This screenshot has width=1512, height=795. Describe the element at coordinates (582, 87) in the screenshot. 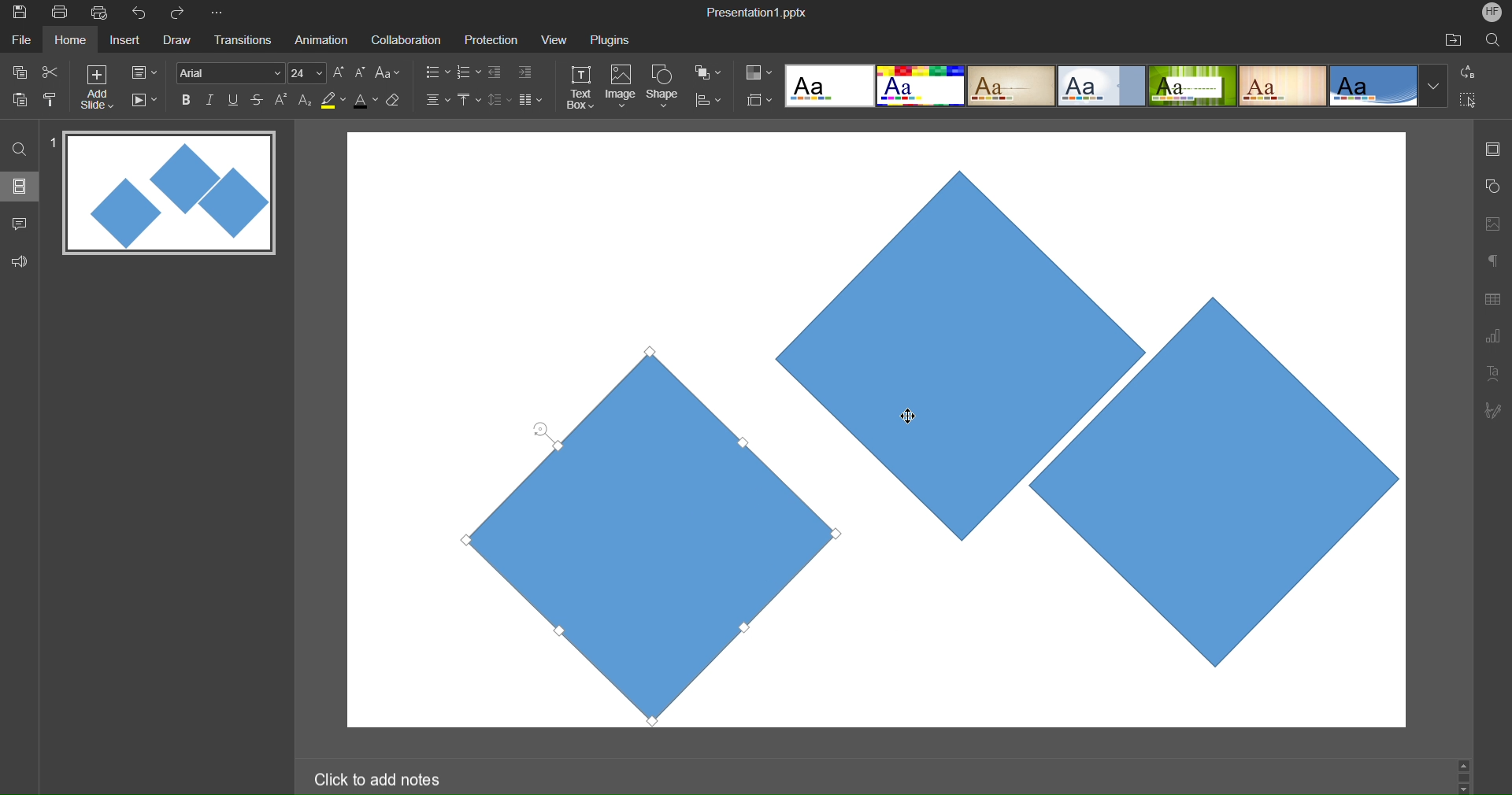

I see `Text Box` at that location.